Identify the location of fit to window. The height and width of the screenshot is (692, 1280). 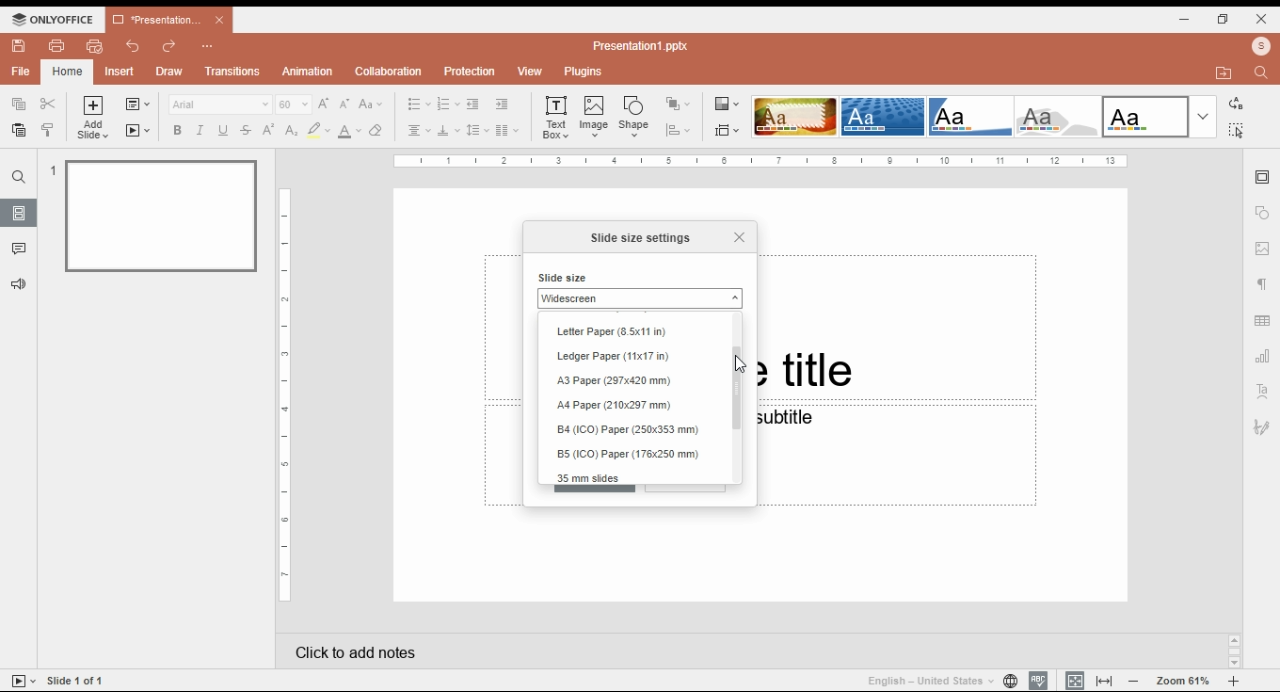
(1106, 680).